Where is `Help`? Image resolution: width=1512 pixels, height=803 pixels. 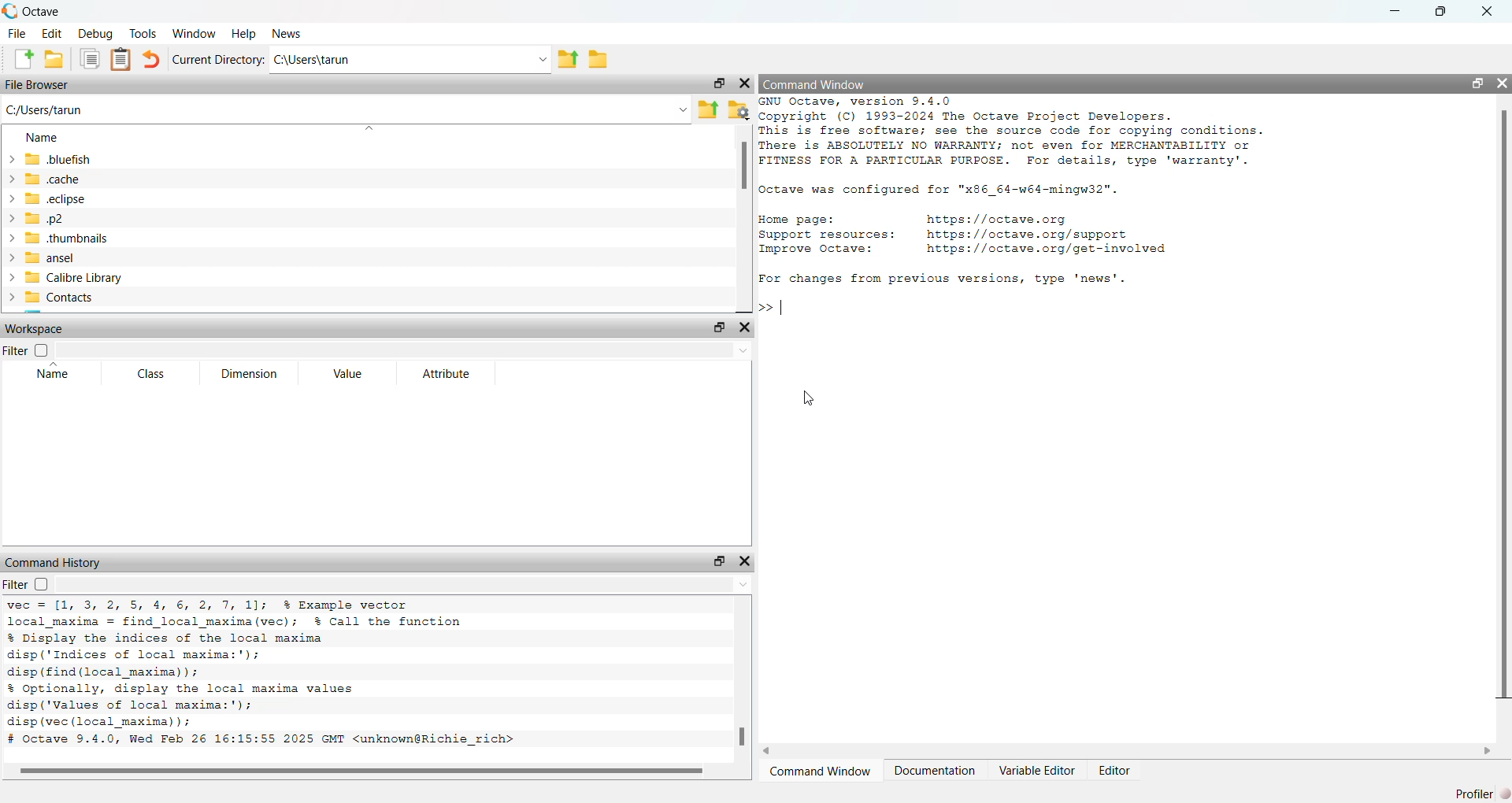 Help is located at coordinates (244, 34).